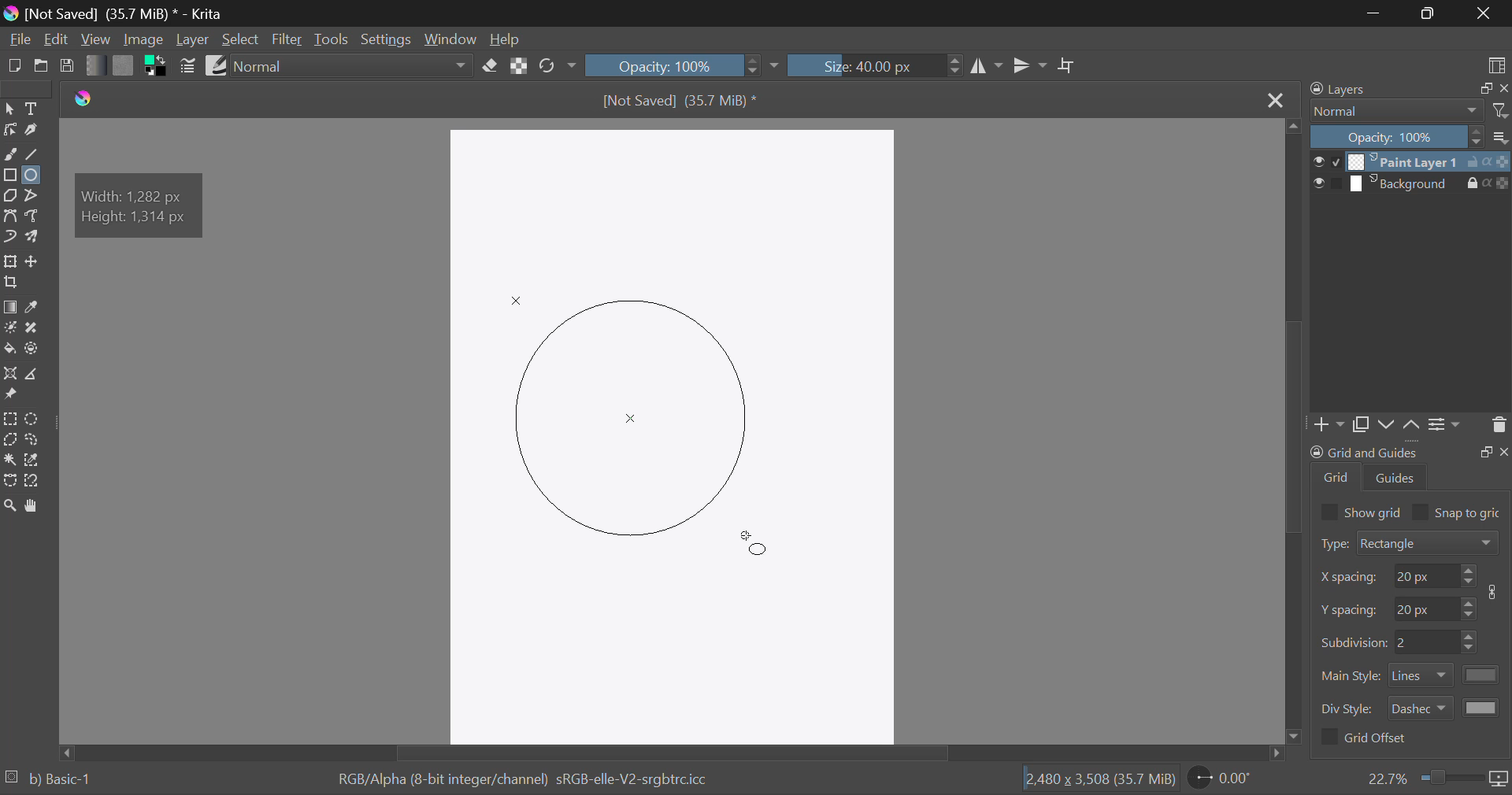 This screenshot has width=1512, height=795. I want to click on Edit, so click(57, 39).